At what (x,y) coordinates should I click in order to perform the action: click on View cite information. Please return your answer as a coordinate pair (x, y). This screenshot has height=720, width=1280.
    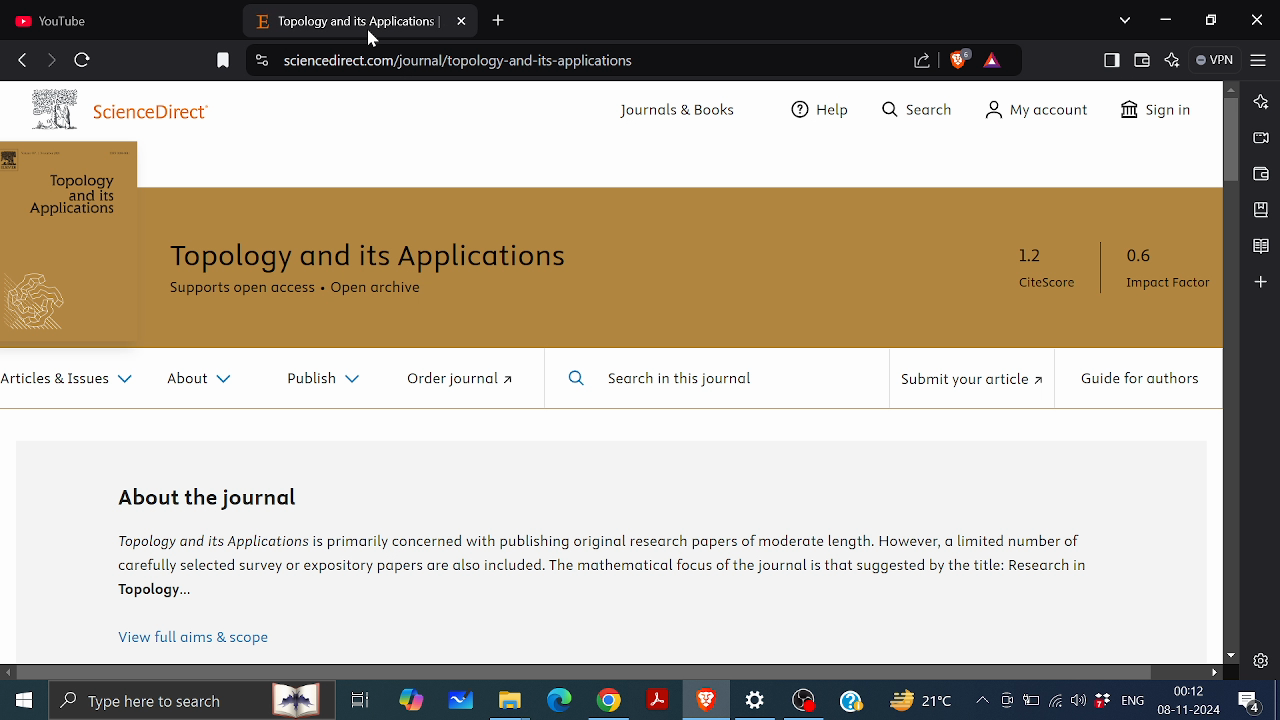
    Looking at the image, I should click on (263, 62).